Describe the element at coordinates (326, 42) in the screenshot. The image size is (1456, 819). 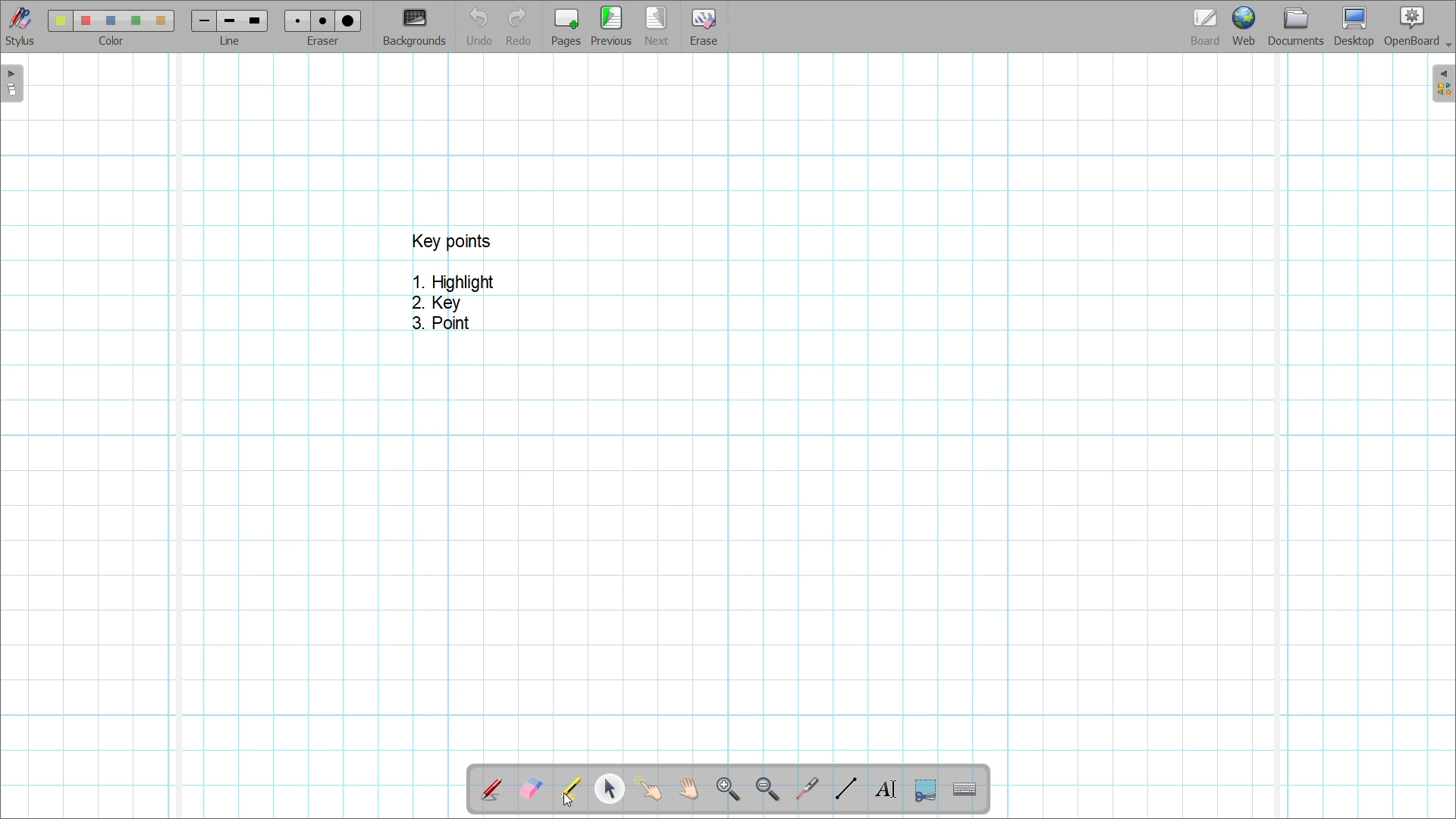
I see `eraser` at that location.